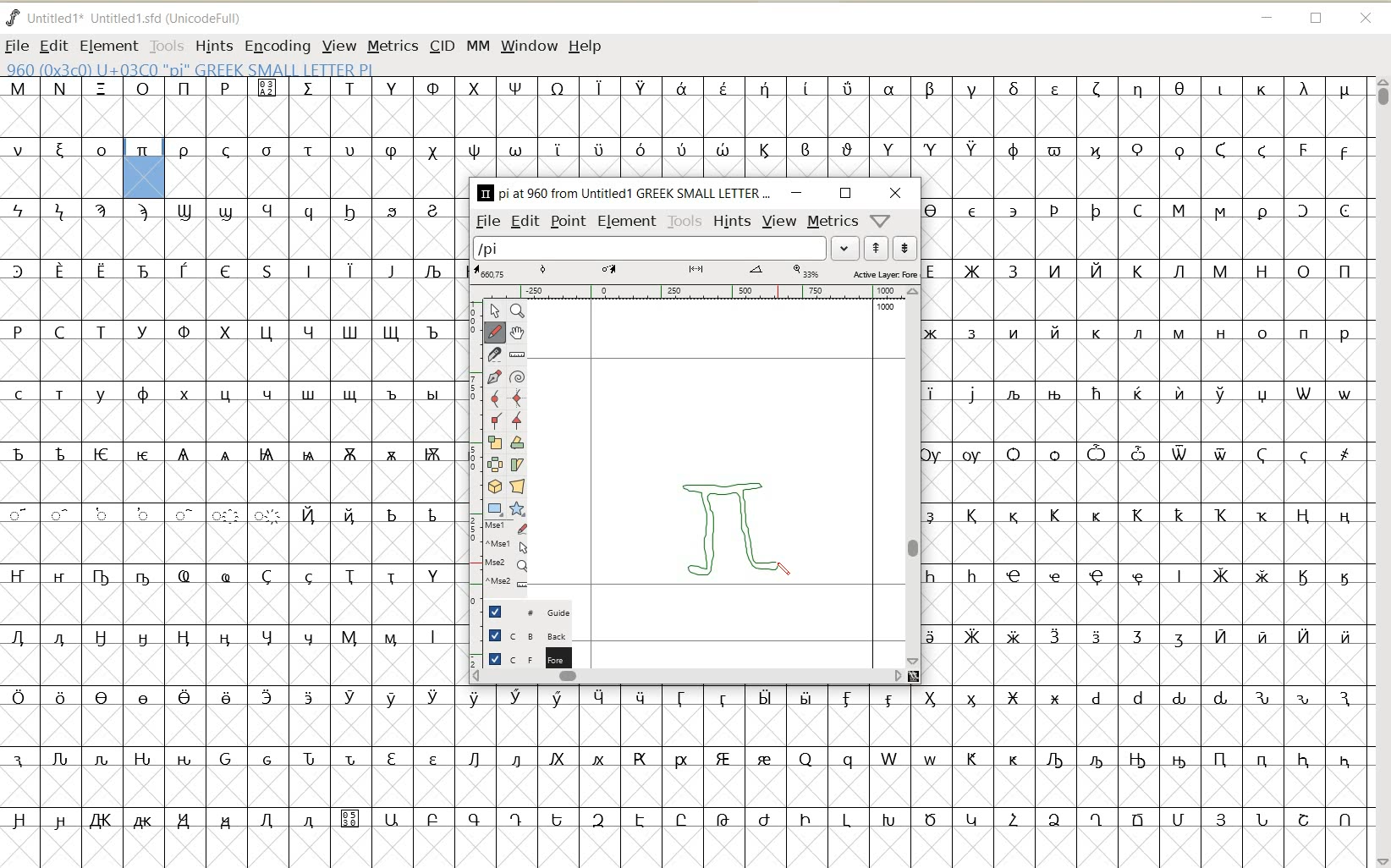 This screenshot has width=1391, height=868. I want to click on CLOSE, so click(898, 194).